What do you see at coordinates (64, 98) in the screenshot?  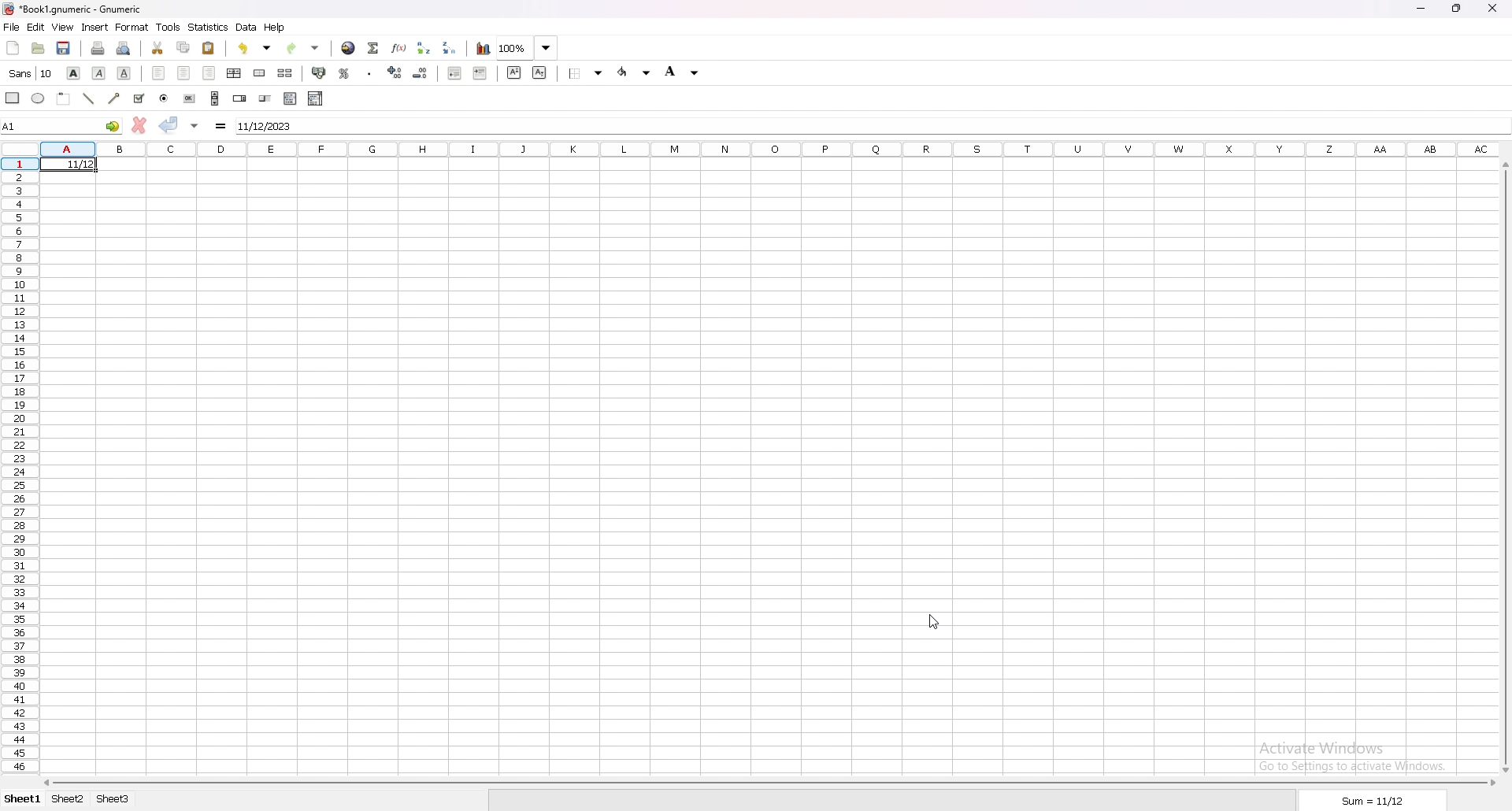 I see `frame` at bounding box center [64, 98].